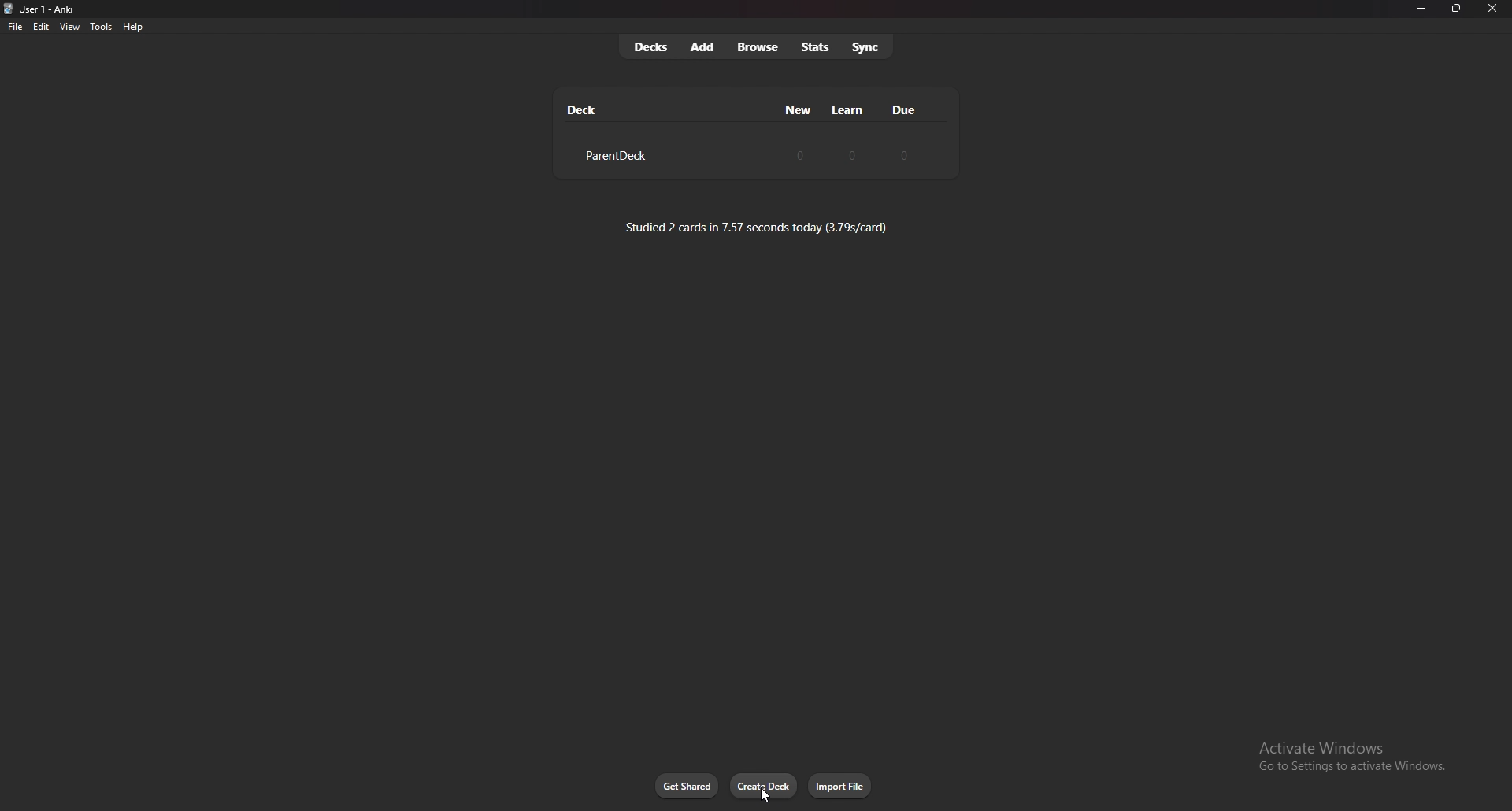 The height and width of the screenshot is (811, 1512). Describe the element at coordinates (867, 46) in the screenshot. I see `sync` at that location.